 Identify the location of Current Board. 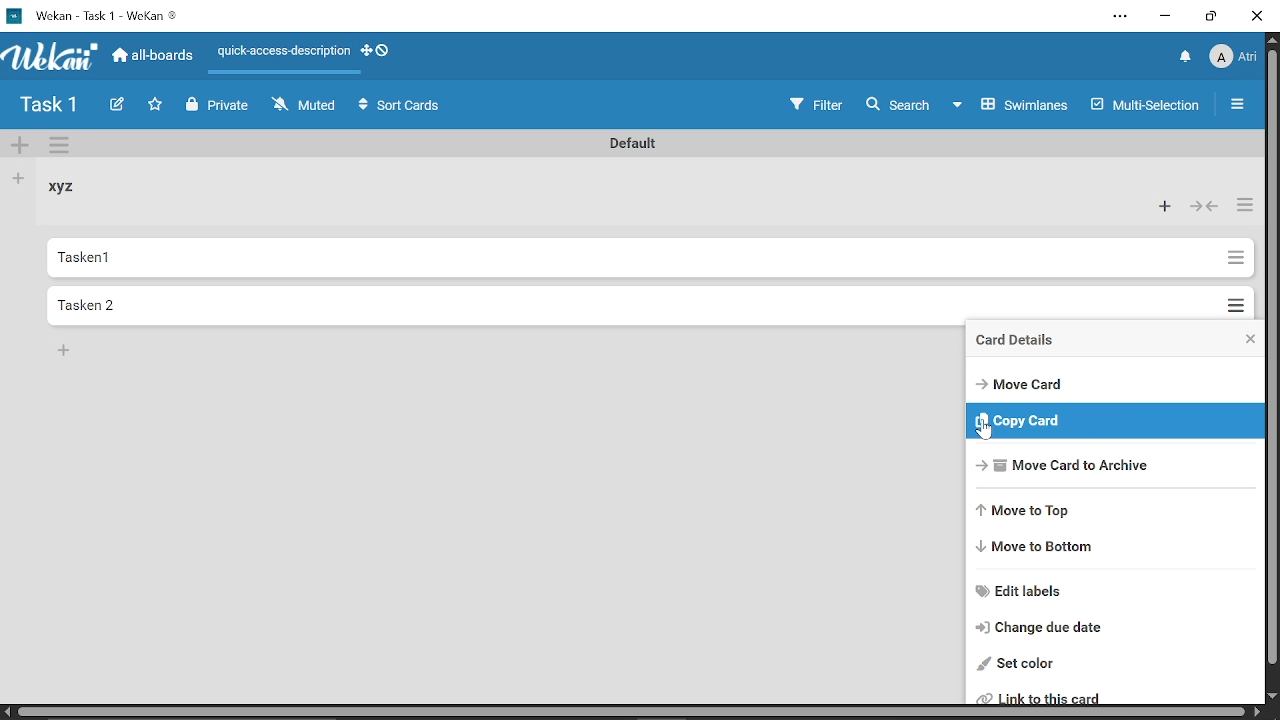
(50, 107).